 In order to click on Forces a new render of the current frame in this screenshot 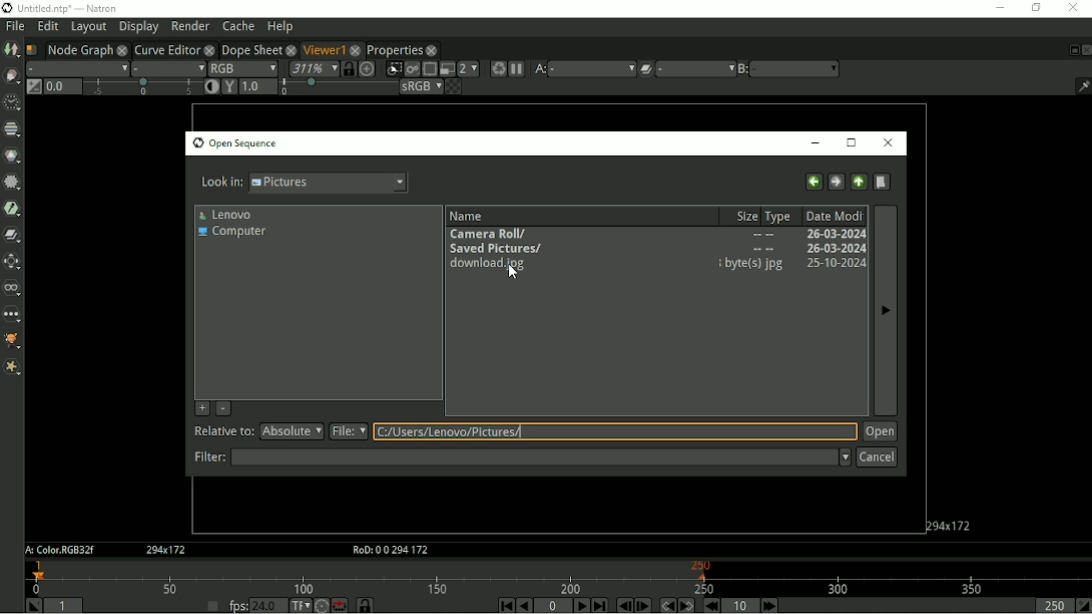, I will do `click(497, 68)`.